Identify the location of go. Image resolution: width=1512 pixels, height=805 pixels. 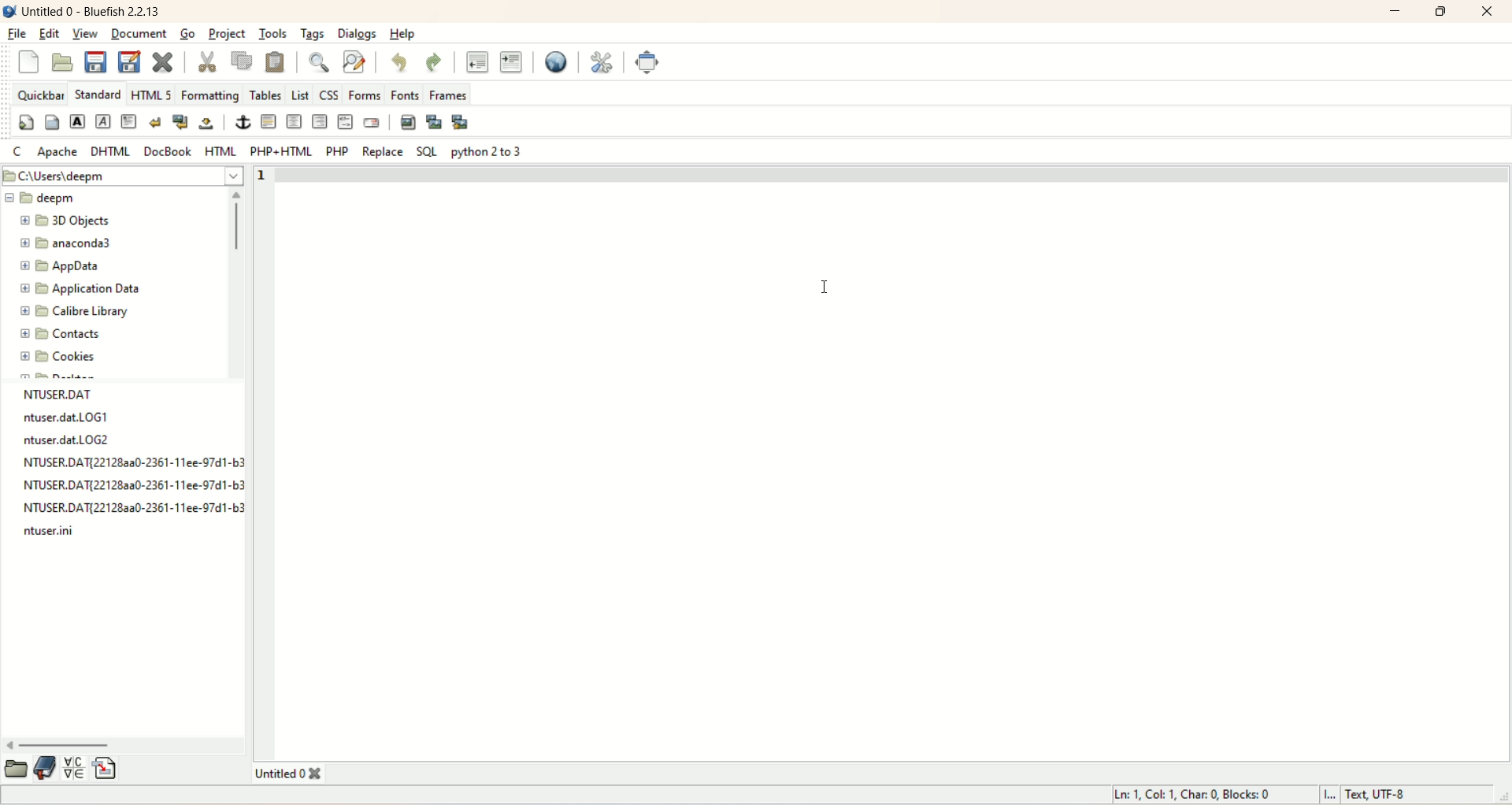
(189, 33).